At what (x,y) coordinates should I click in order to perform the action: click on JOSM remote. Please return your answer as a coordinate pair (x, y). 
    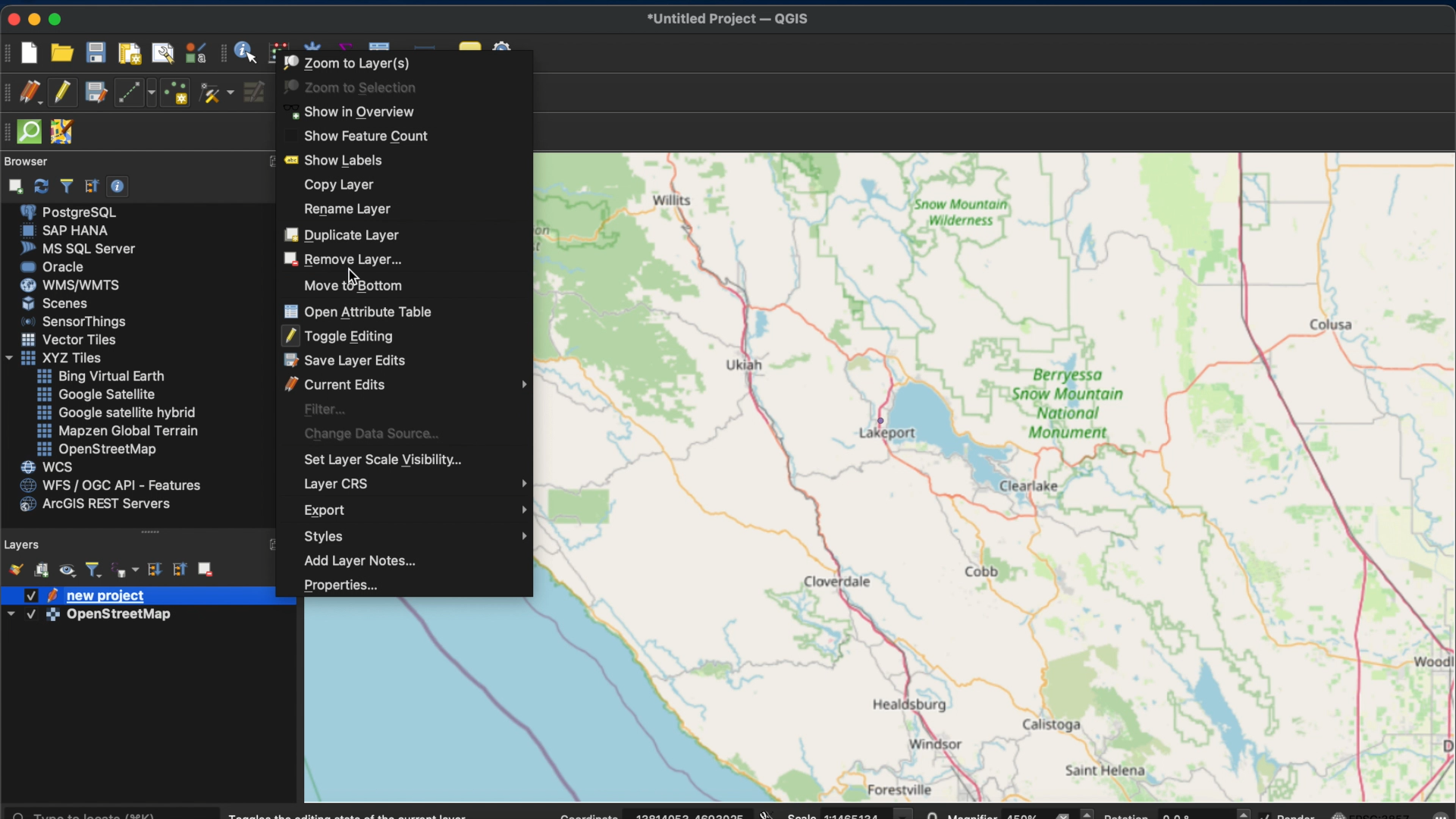
    Looking at the image, I should click on (61, 132).